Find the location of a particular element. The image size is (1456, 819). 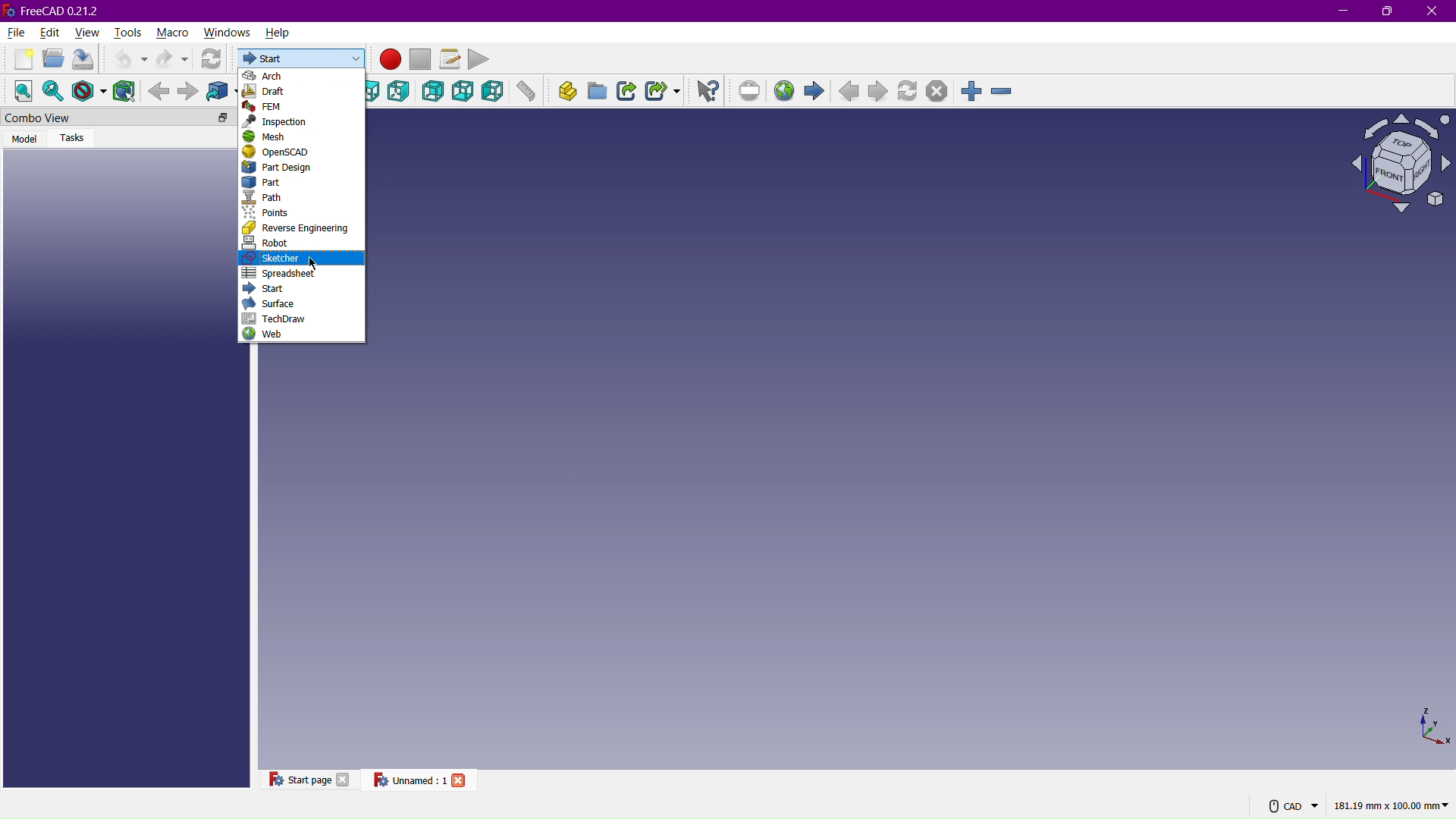

Maximize is located at coordinates (1387, 11).